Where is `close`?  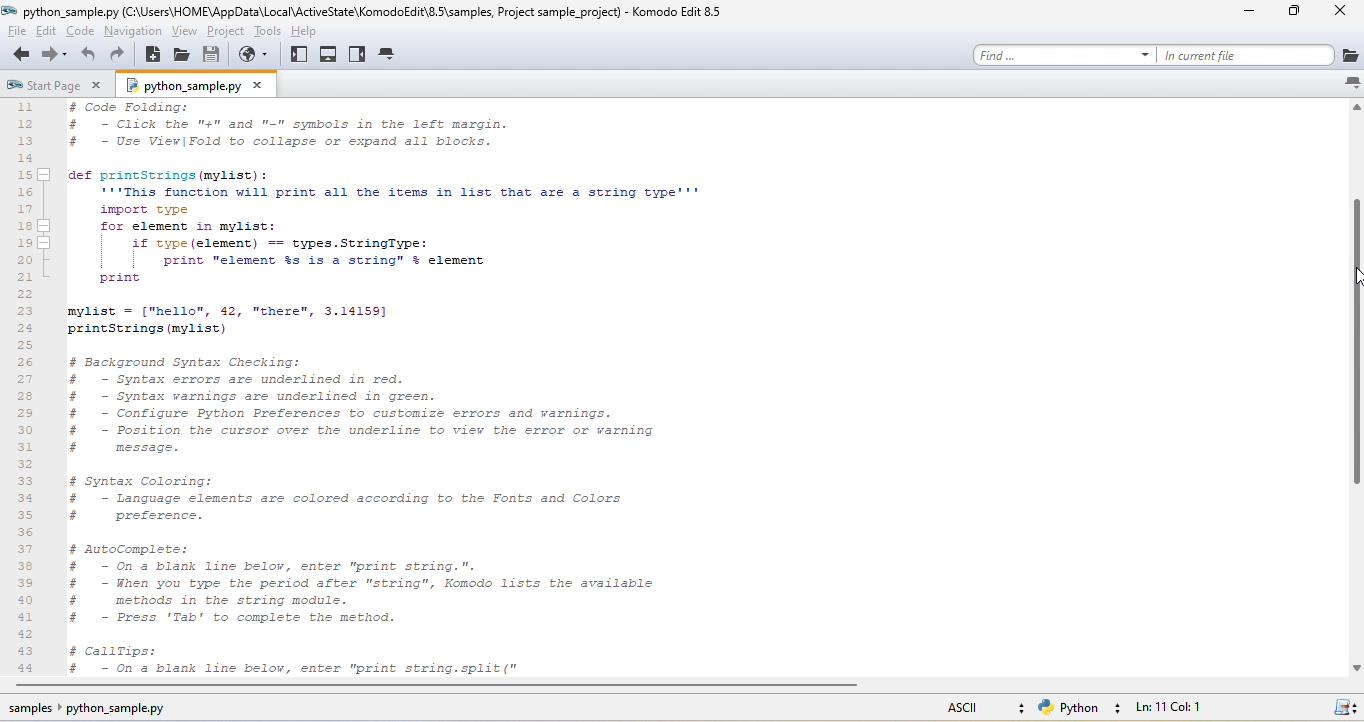
close is located at coordinates (1344, 13).